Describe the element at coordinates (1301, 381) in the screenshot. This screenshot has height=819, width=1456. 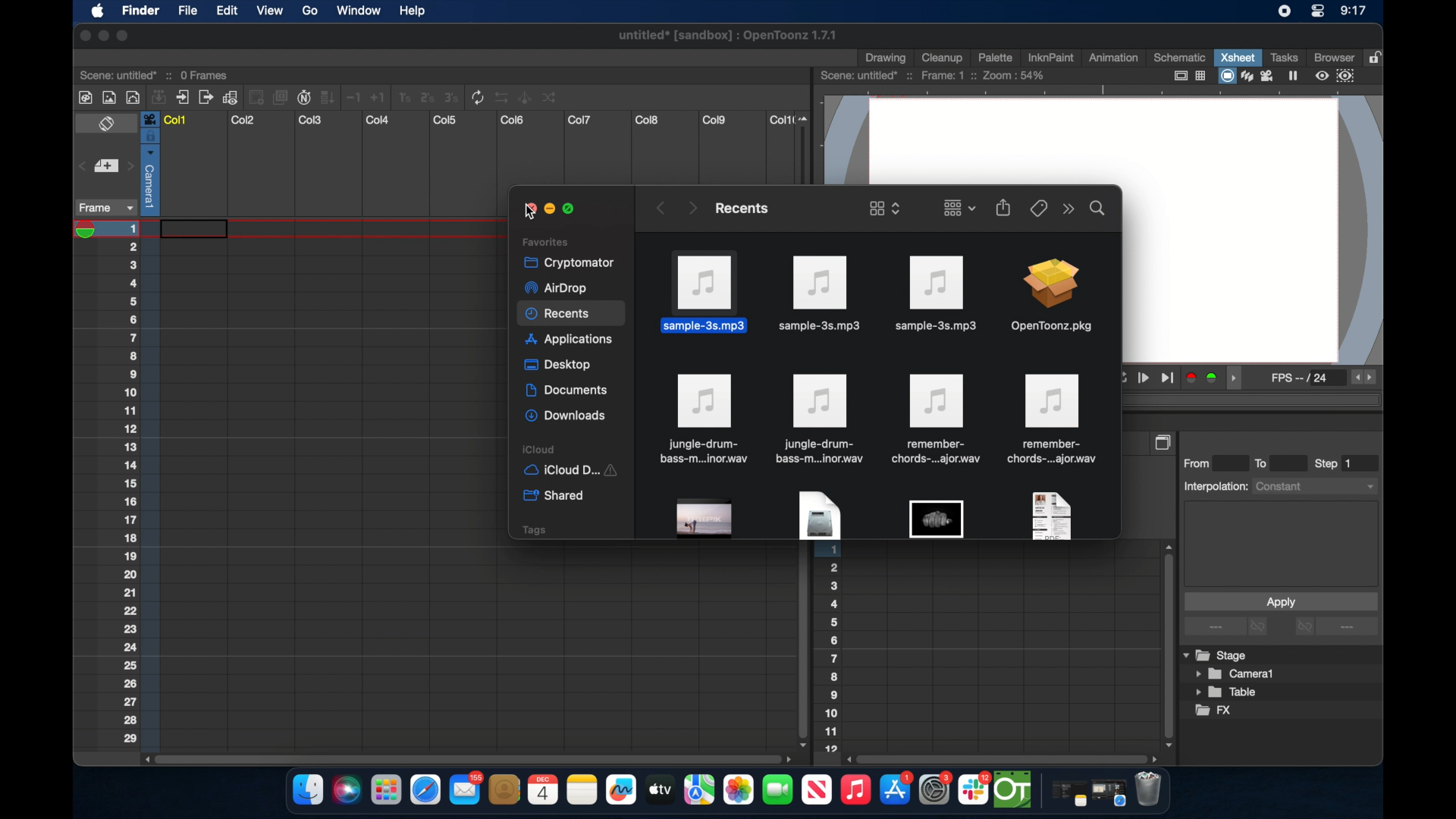
I see `fps` at that location.